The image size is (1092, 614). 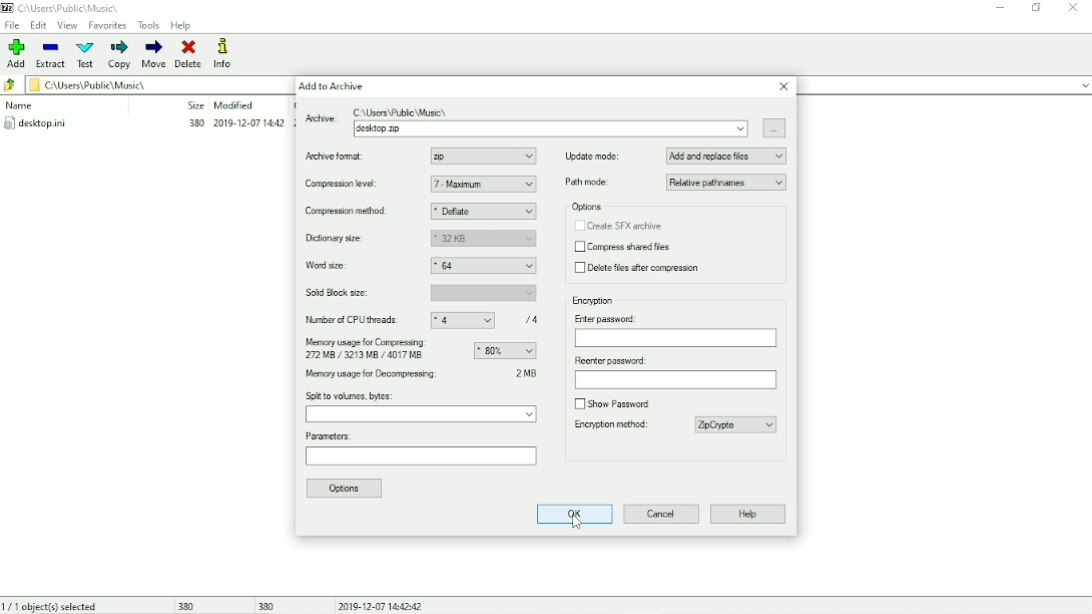 What do you see at coordinates (10, 86) in the screenshot?
I see `Back` at bounding box center [10, 86].